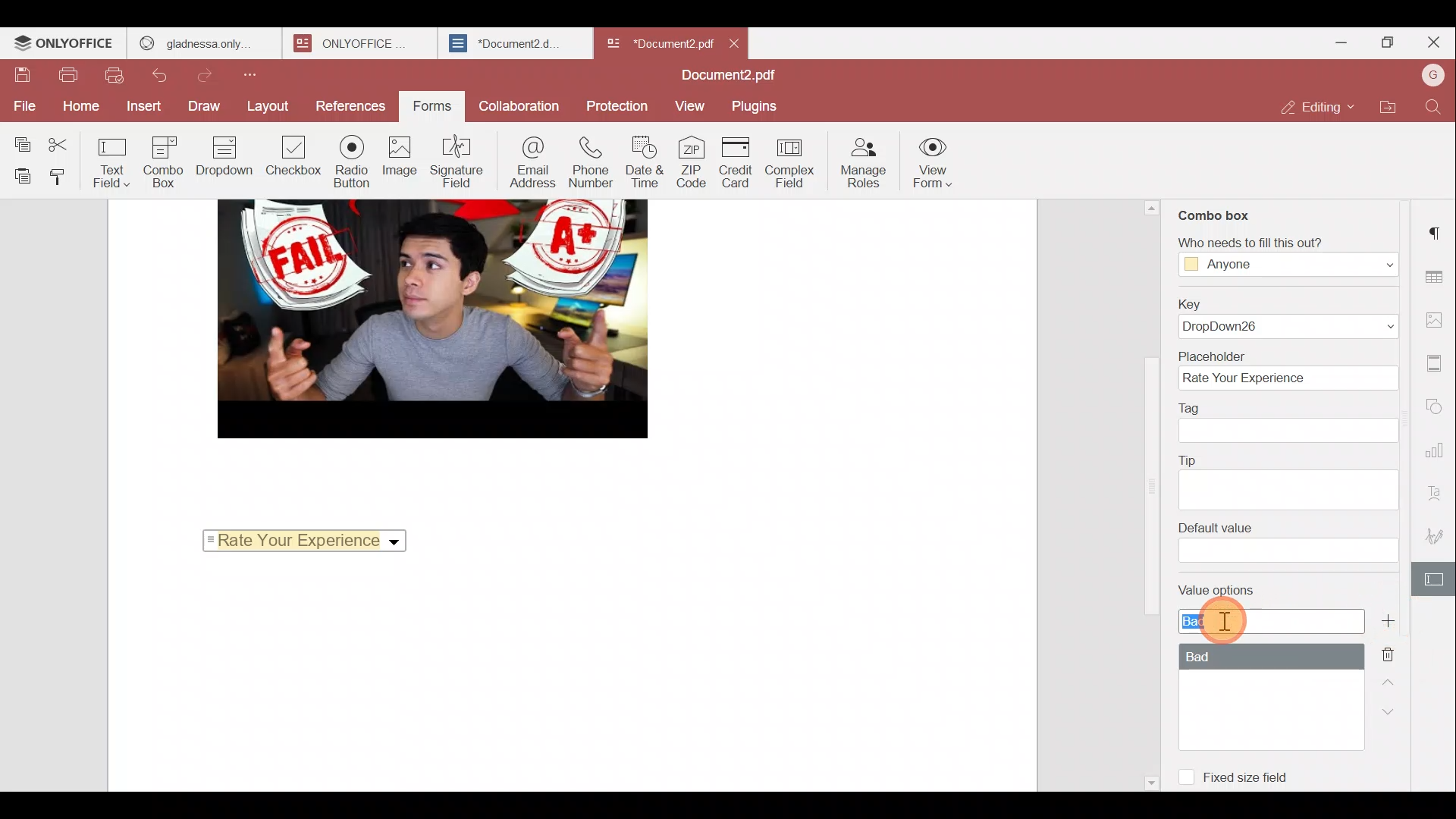 This screenshot has height=819, width=1456. Describe the element at coordinates (169, 162) in the screenshot. I see `Combo box` at that location.